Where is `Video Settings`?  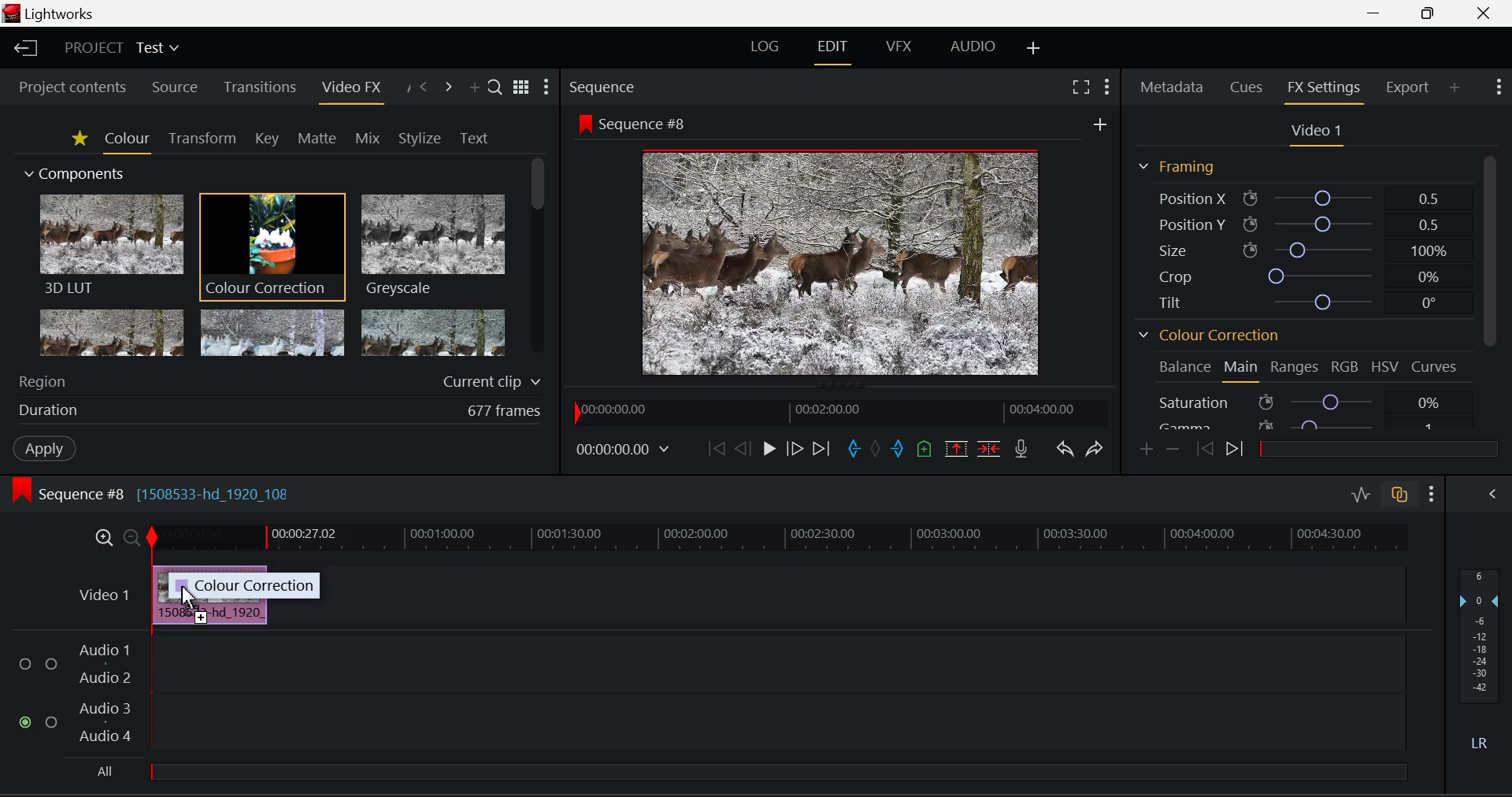
Video Settings is located at coordinates (1314, 132).